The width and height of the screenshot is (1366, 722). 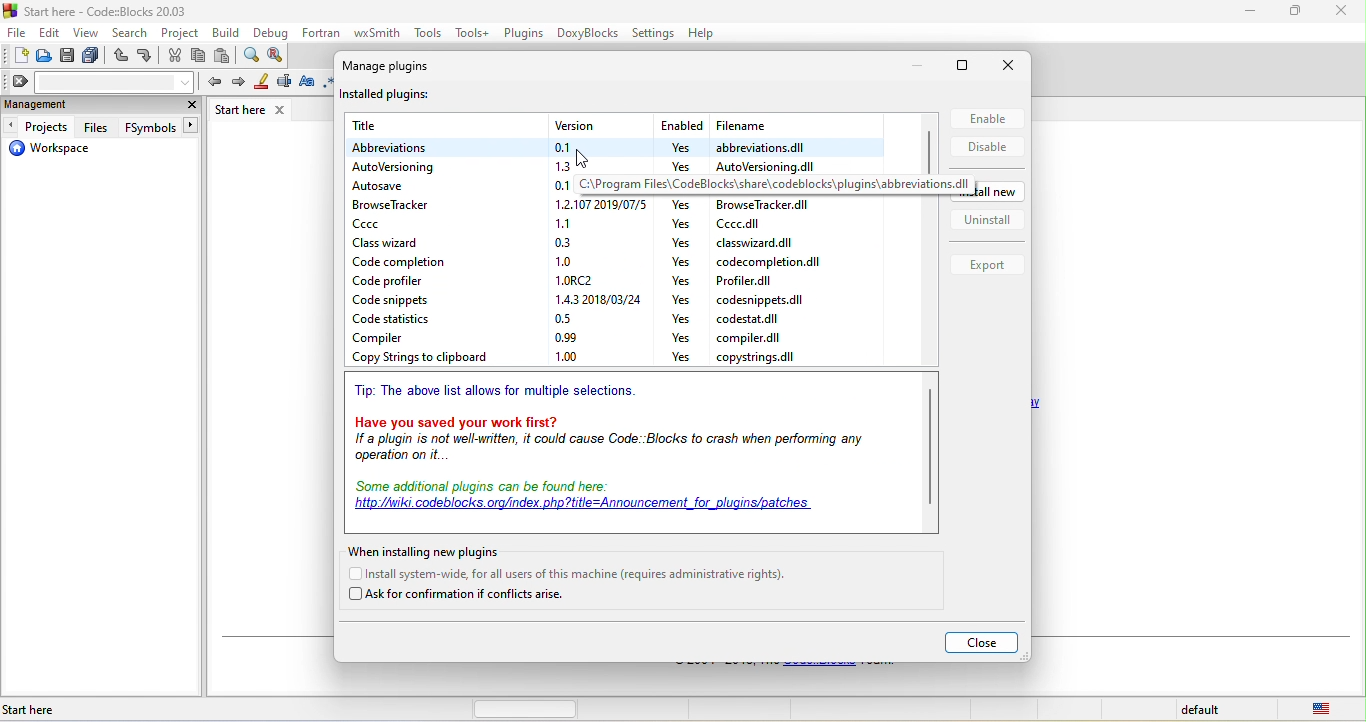 I want to click on autoversioning, so click(x=393, y=169).